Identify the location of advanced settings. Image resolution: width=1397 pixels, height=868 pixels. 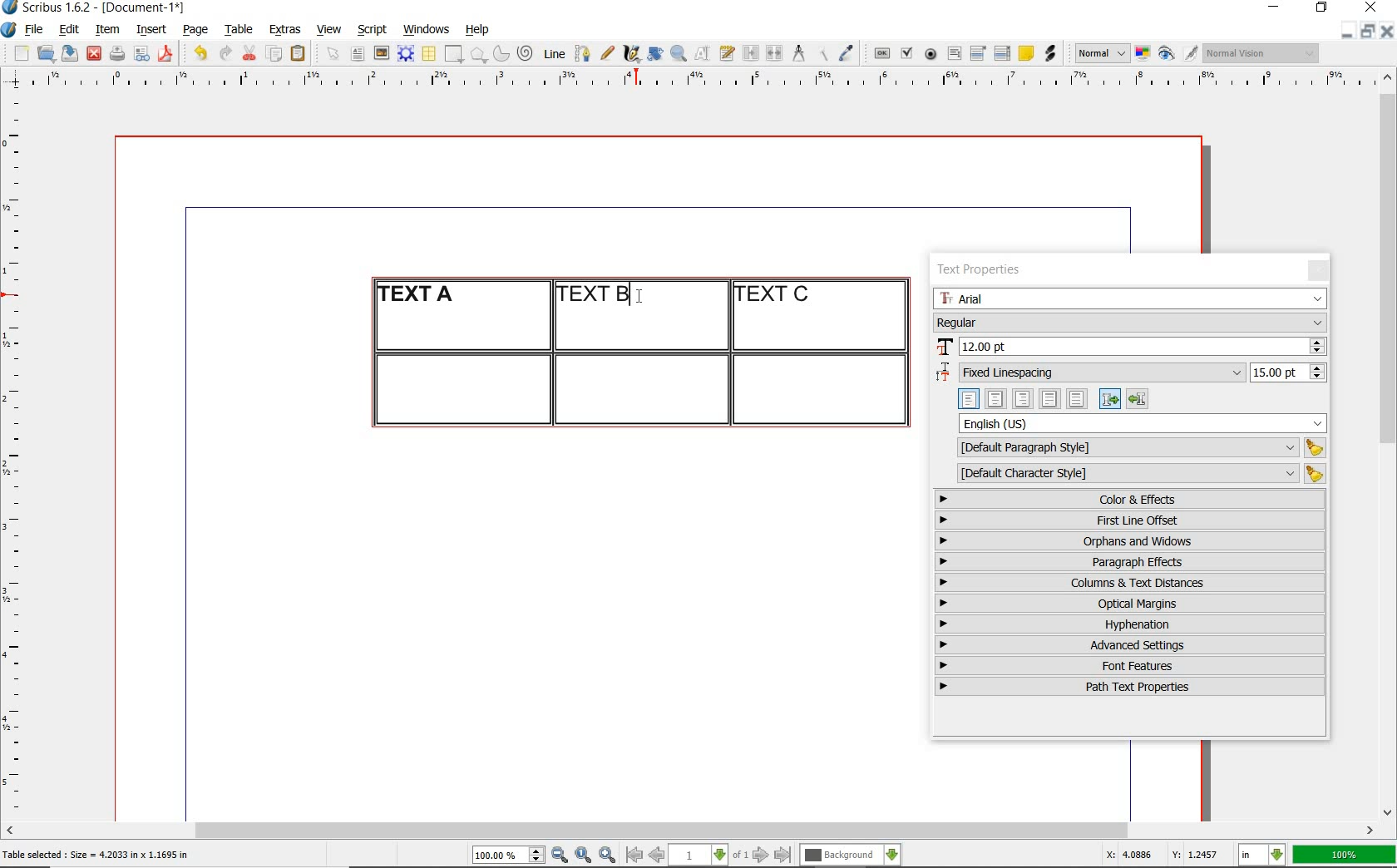
(1128, 644).